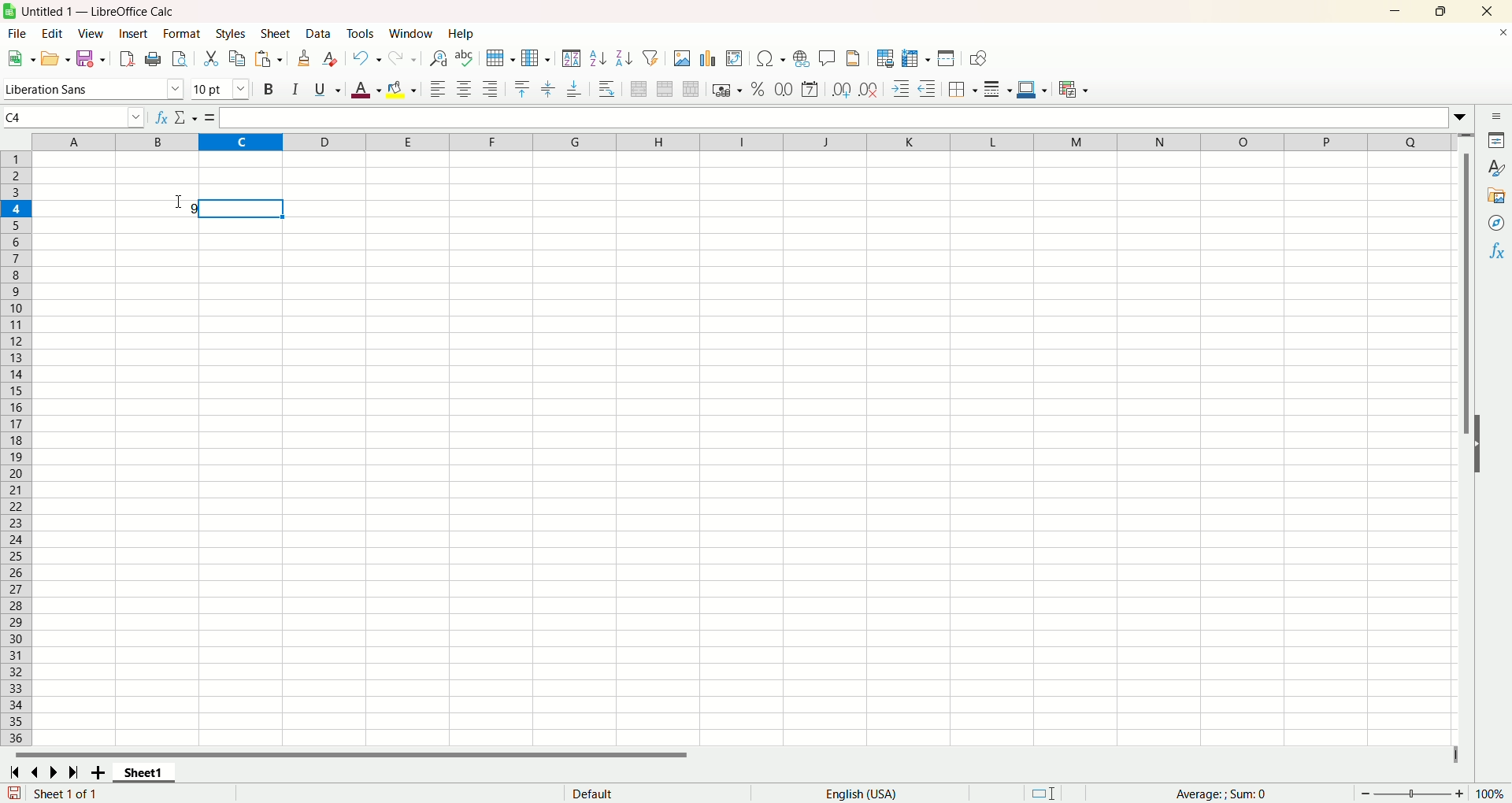 This screenshot has width=1512, height=803. What do you see at coordinates (773, 58) in the screenshot?
I see `insert special character` at bounding box center [773, 58].